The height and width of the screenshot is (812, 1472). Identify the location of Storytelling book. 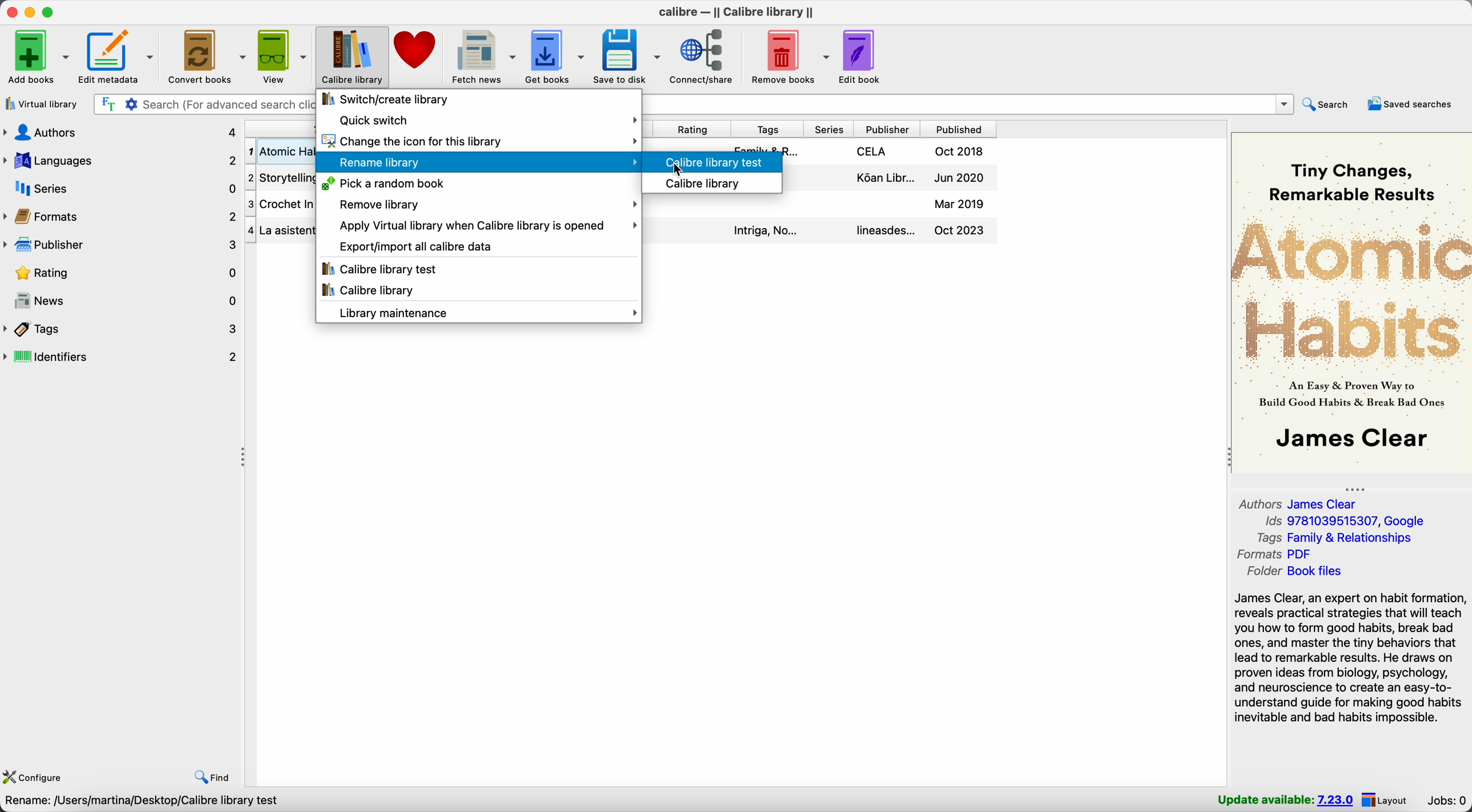
(281, 178).